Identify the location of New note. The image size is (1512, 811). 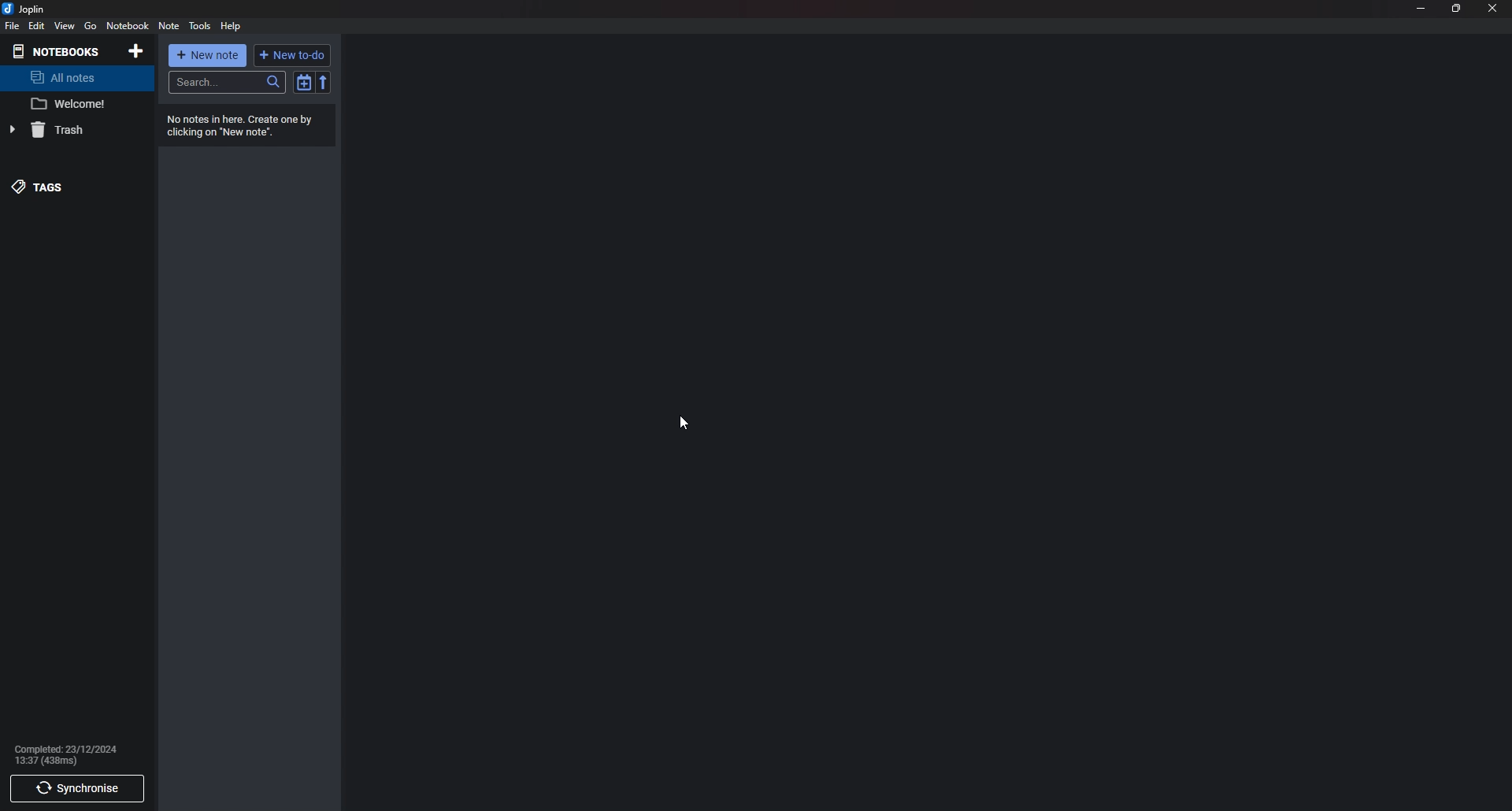
(206, 56).